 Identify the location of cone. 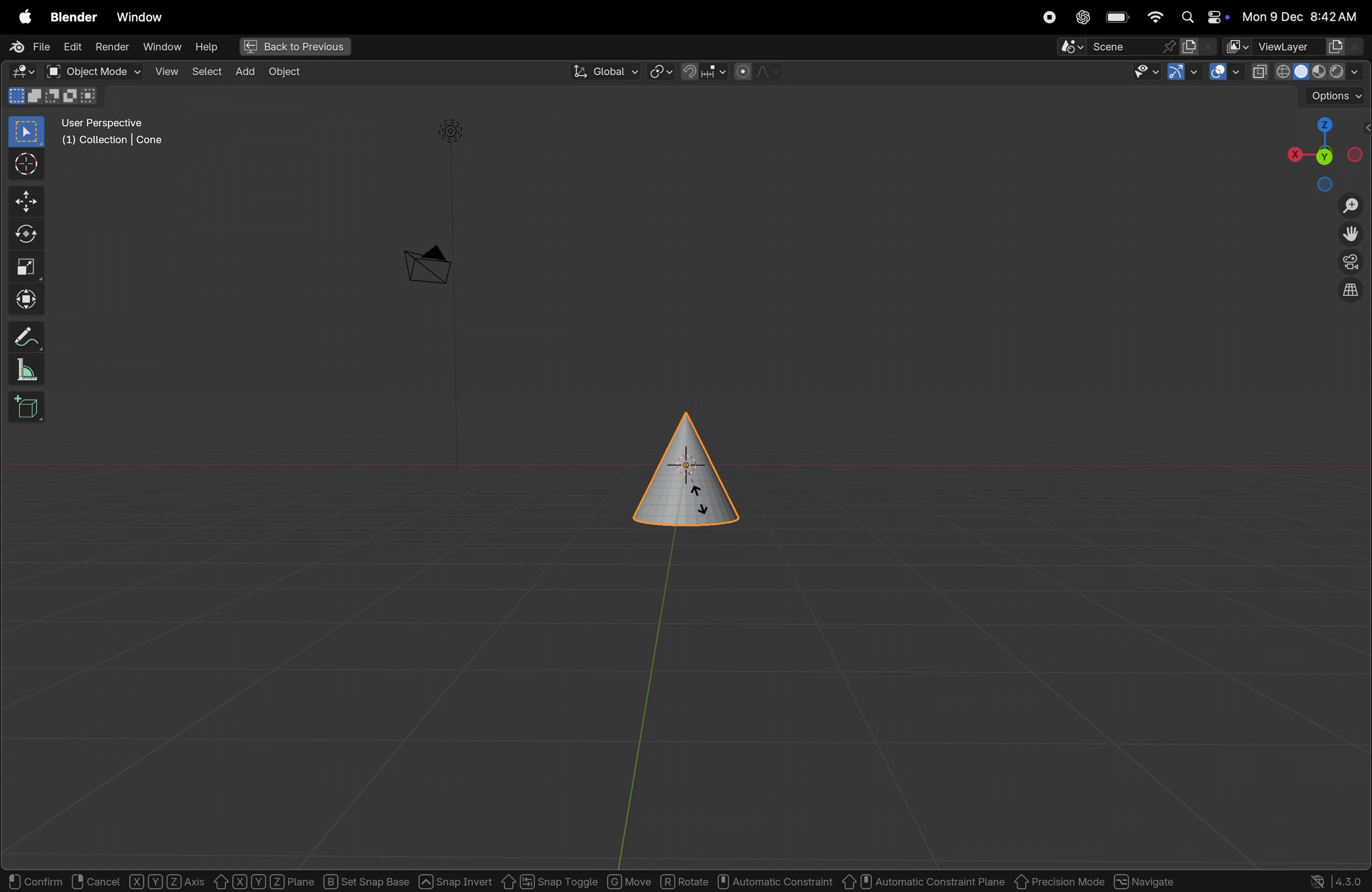
(680, 464).